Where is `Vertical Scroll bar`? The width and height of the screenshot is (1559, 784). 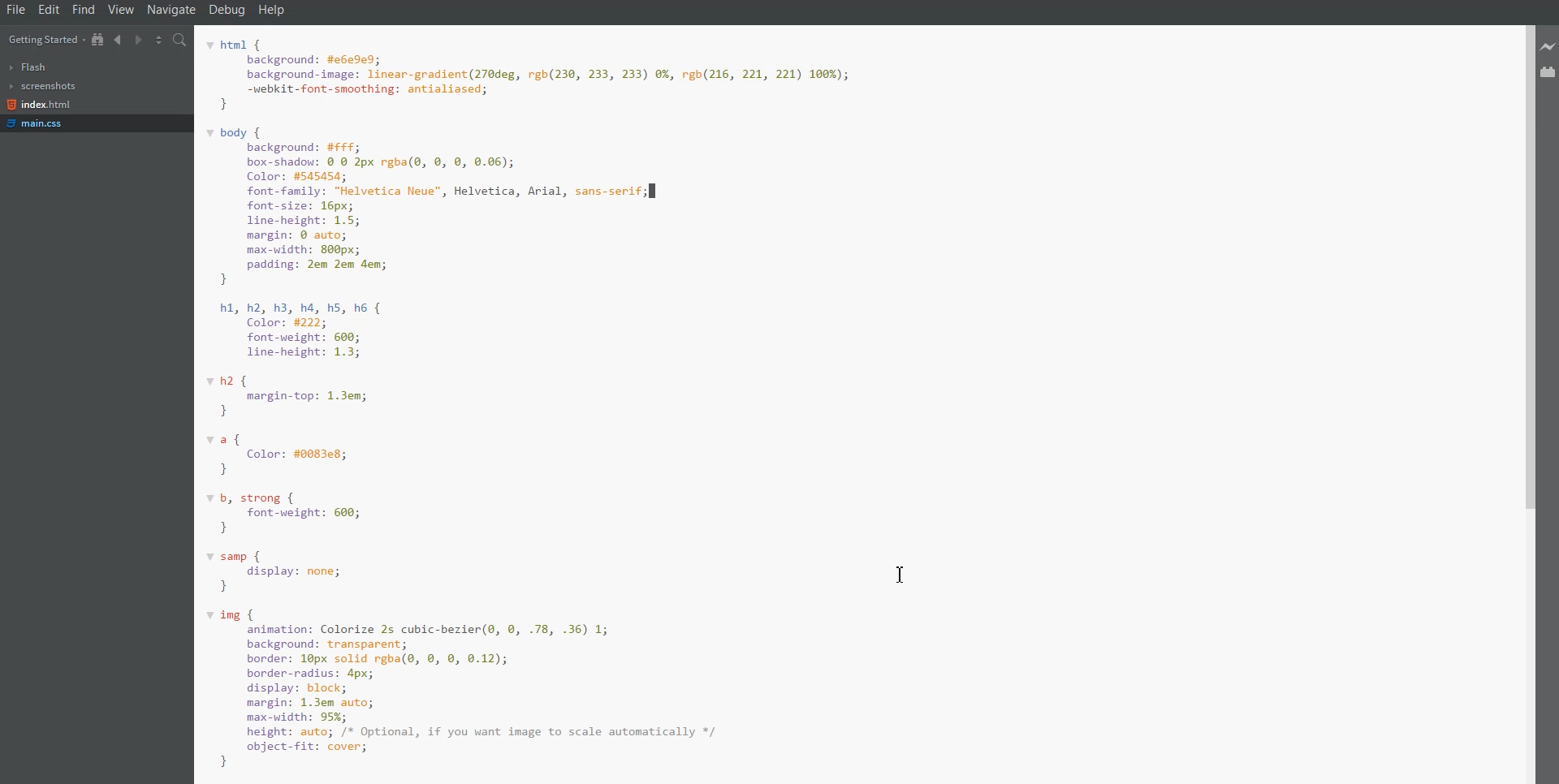 Vertical Scroll bar is located at coordinates (1524, 404).